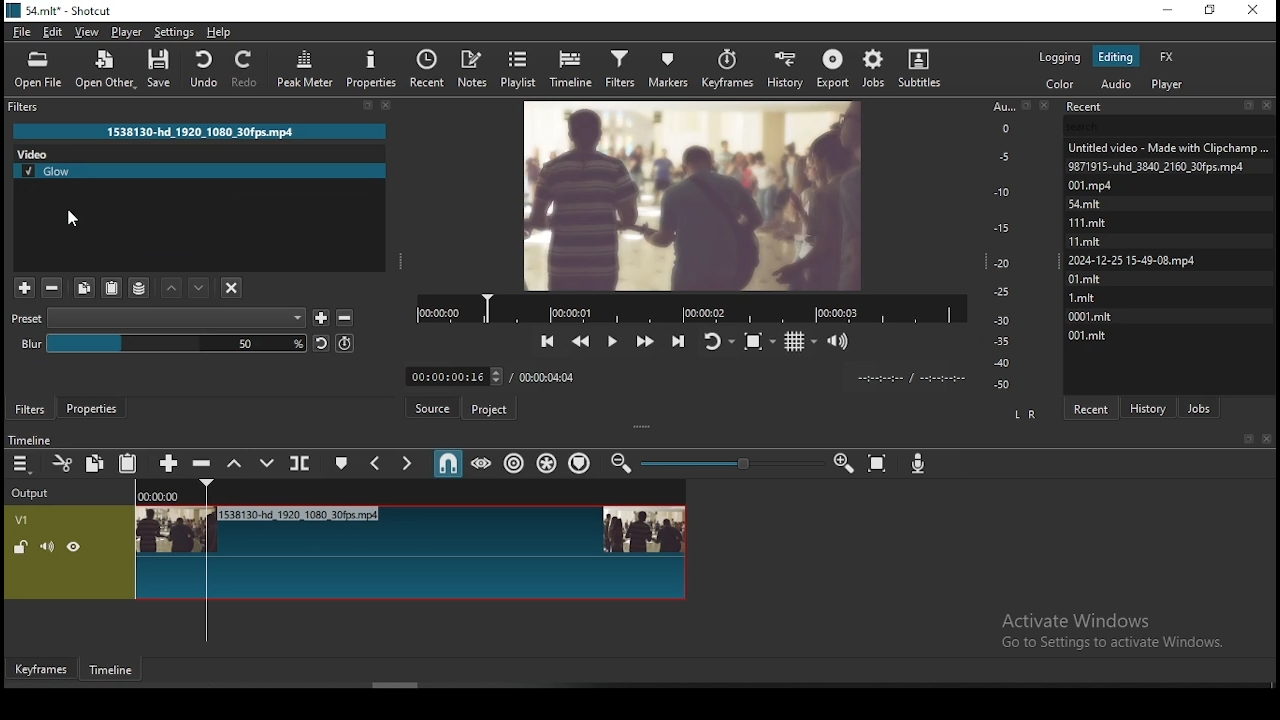  What do you see at coordinates (321, 315) in the screenshot?
I see `add preset` at bounding box center [321, 315].